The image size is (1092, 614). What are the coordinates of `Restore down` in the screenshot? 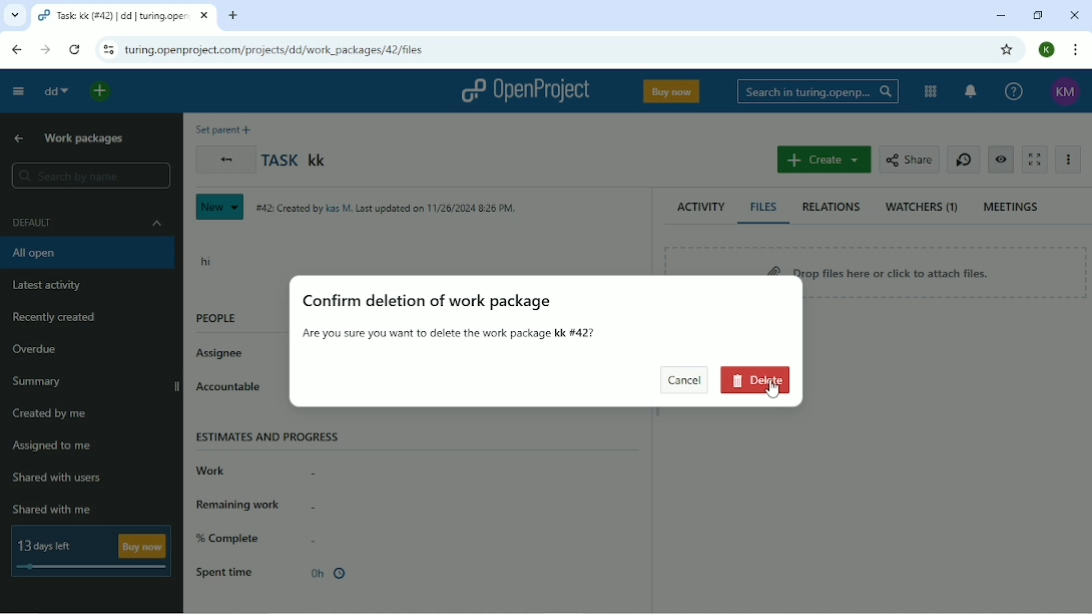 It's located at (1038, 15).